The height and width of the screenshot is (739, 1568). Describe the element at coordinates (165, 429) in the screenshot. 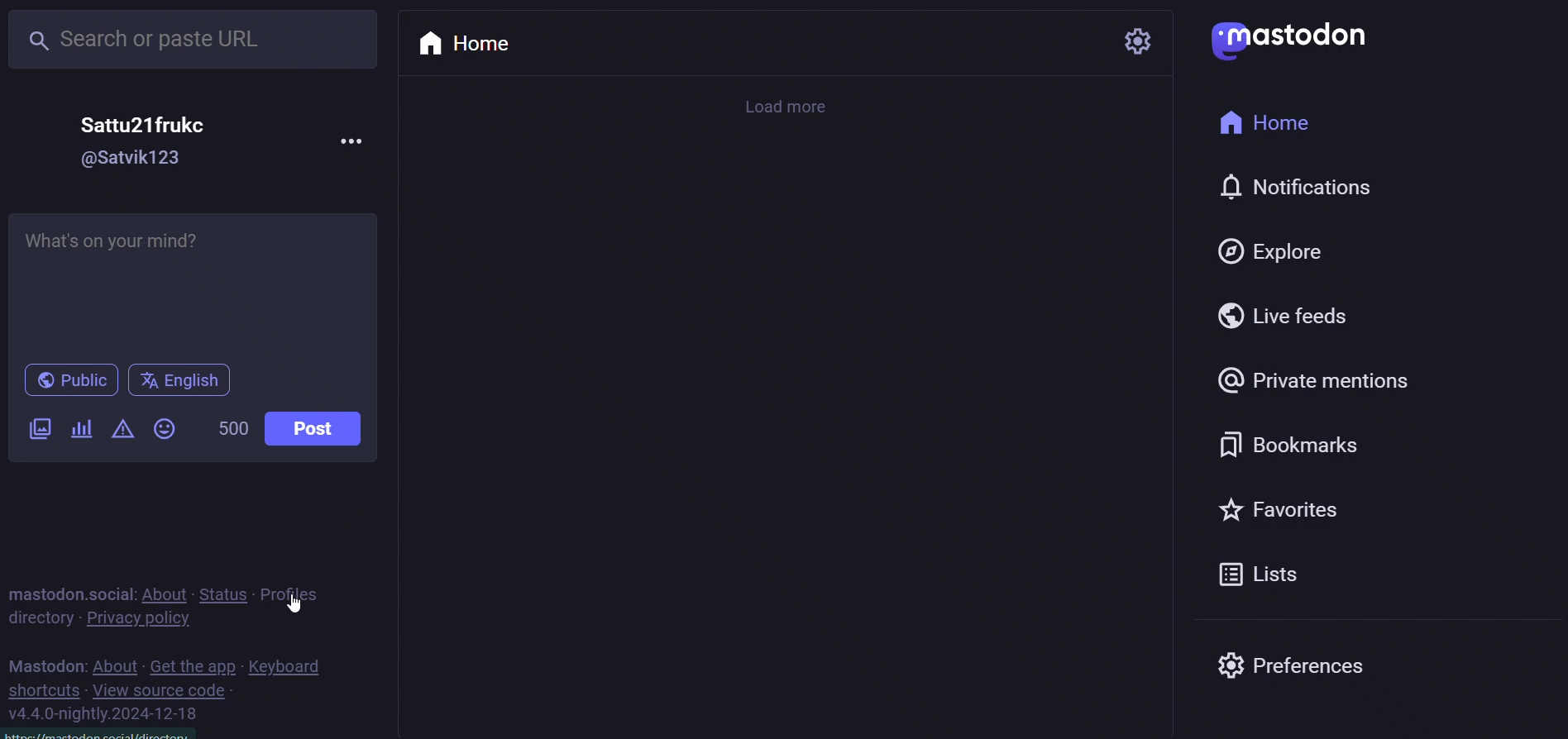

I see `emoji` at that location.